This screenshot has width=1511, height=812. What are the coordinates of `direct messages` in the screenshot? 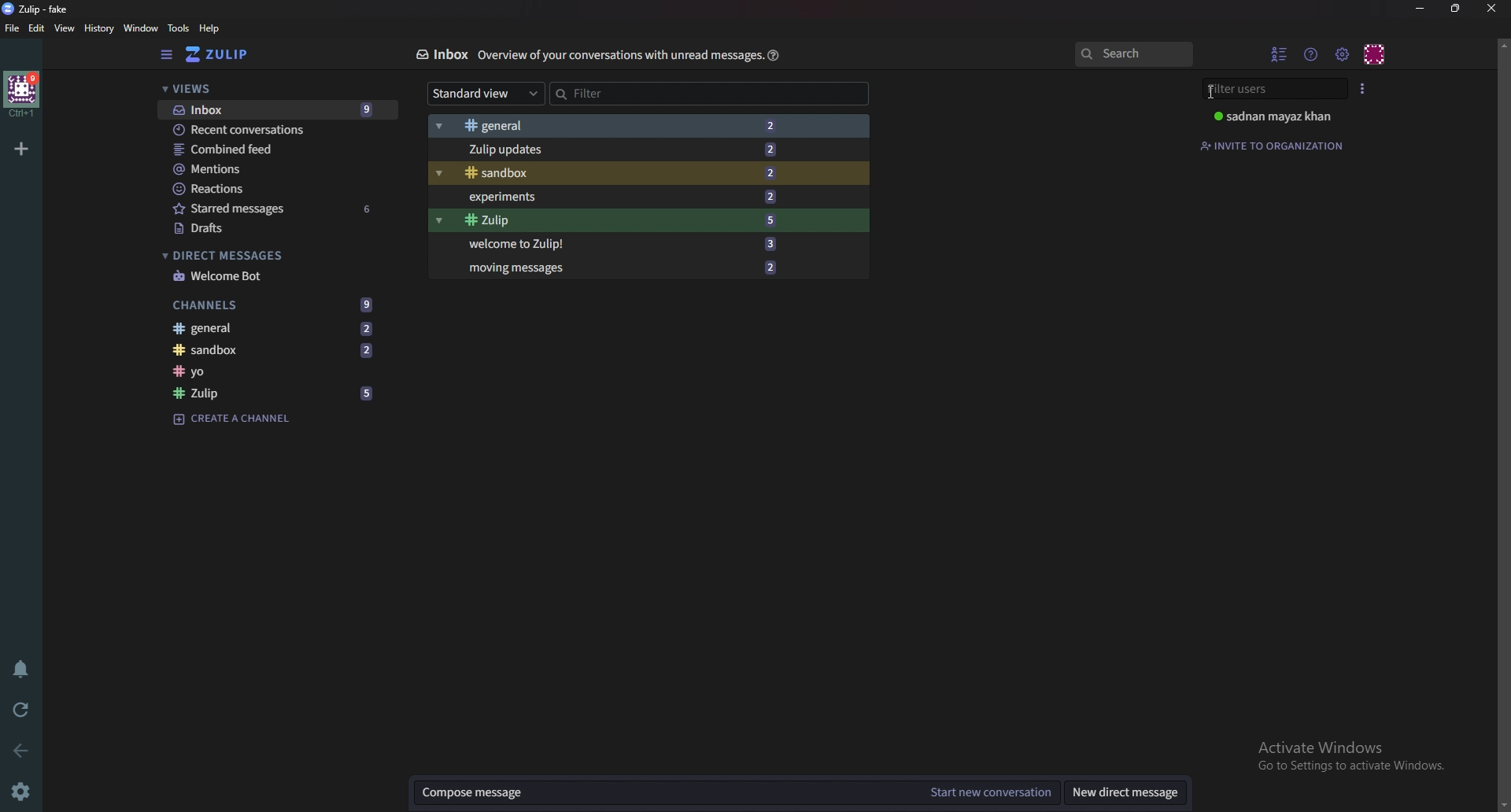 It's located at (270, 255).